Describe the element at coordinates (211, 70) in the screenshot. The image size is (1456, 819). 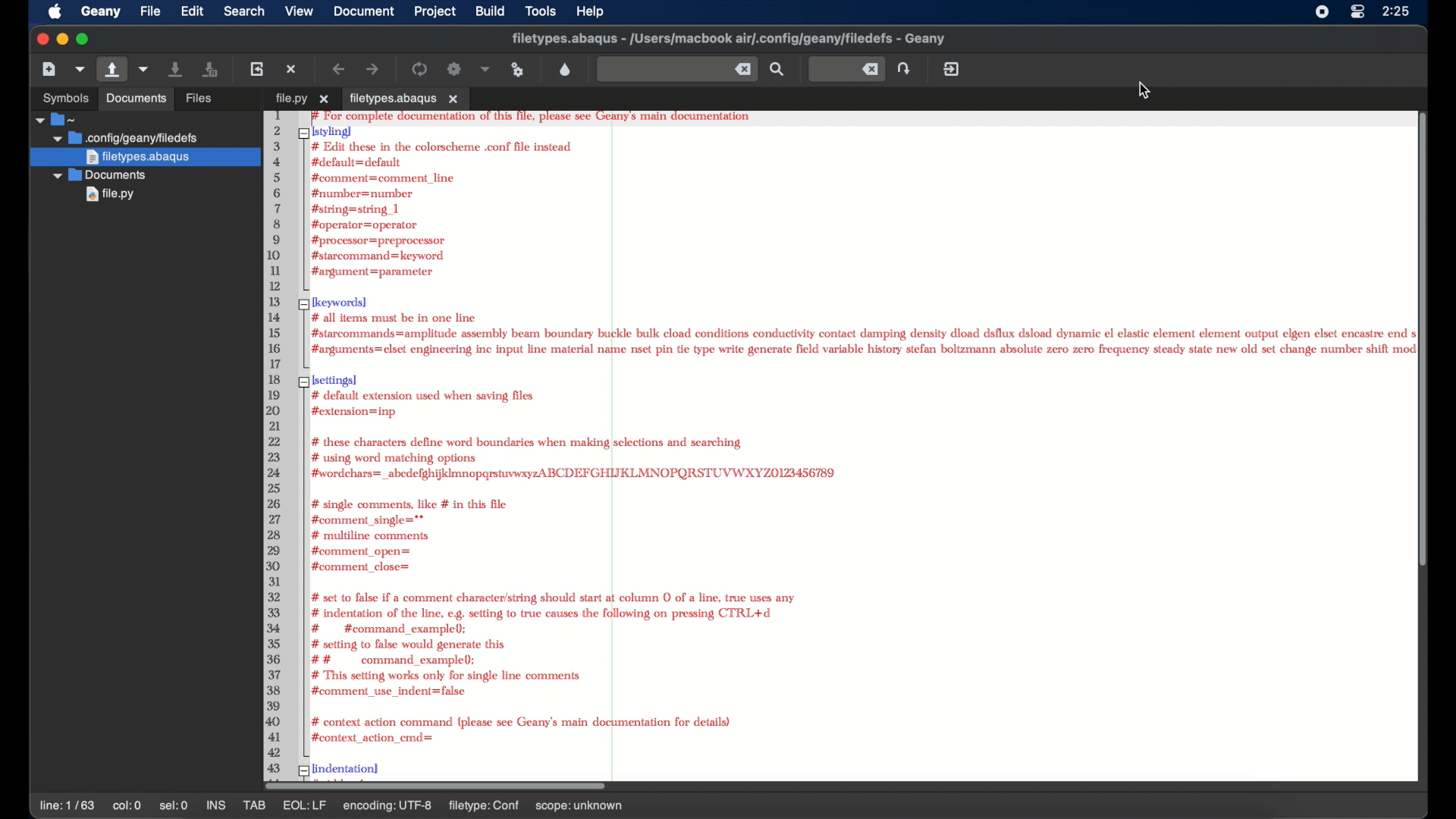
I see `save all files` at that location.